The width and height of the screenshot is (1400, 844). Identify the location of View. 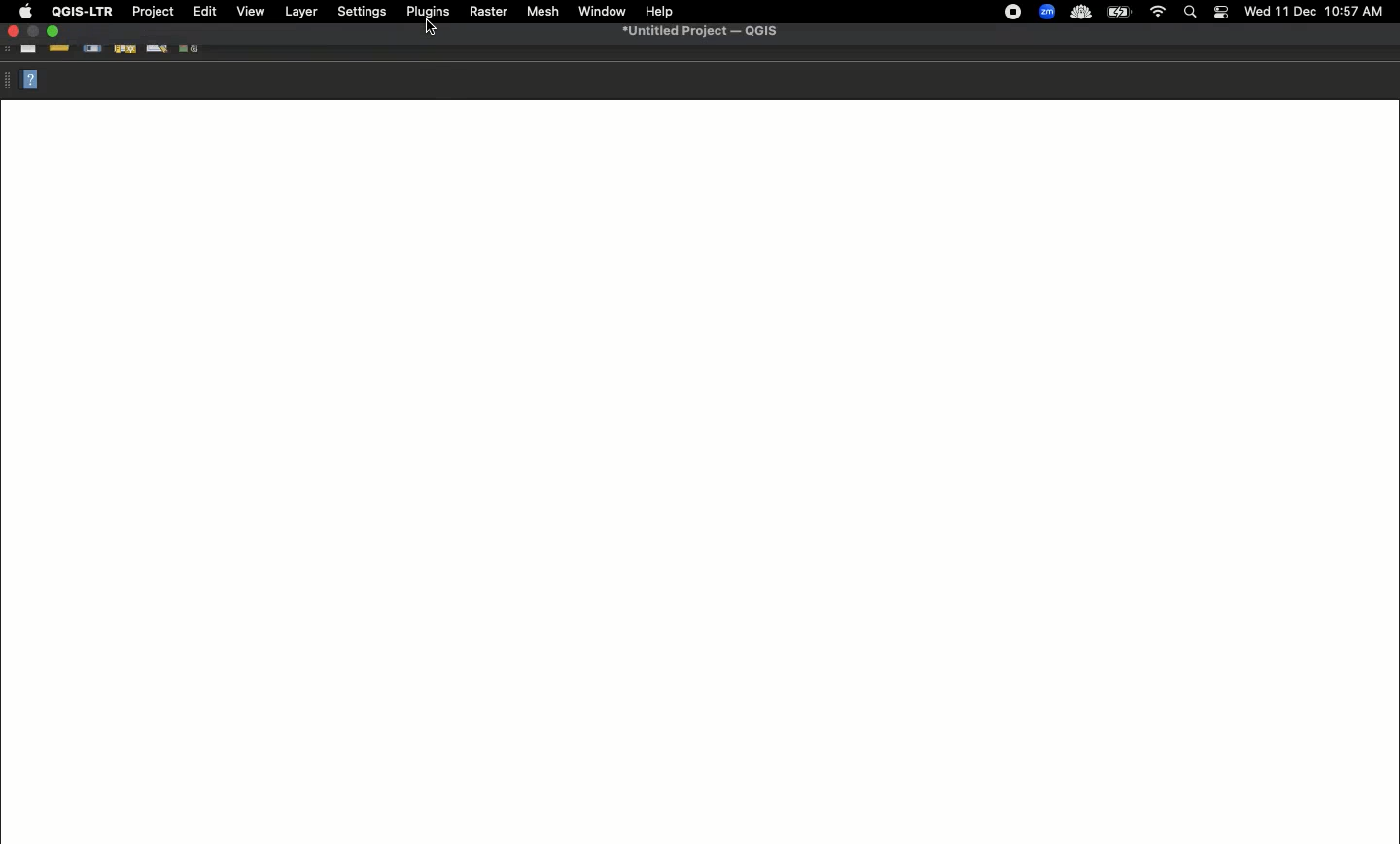
(251, 11).